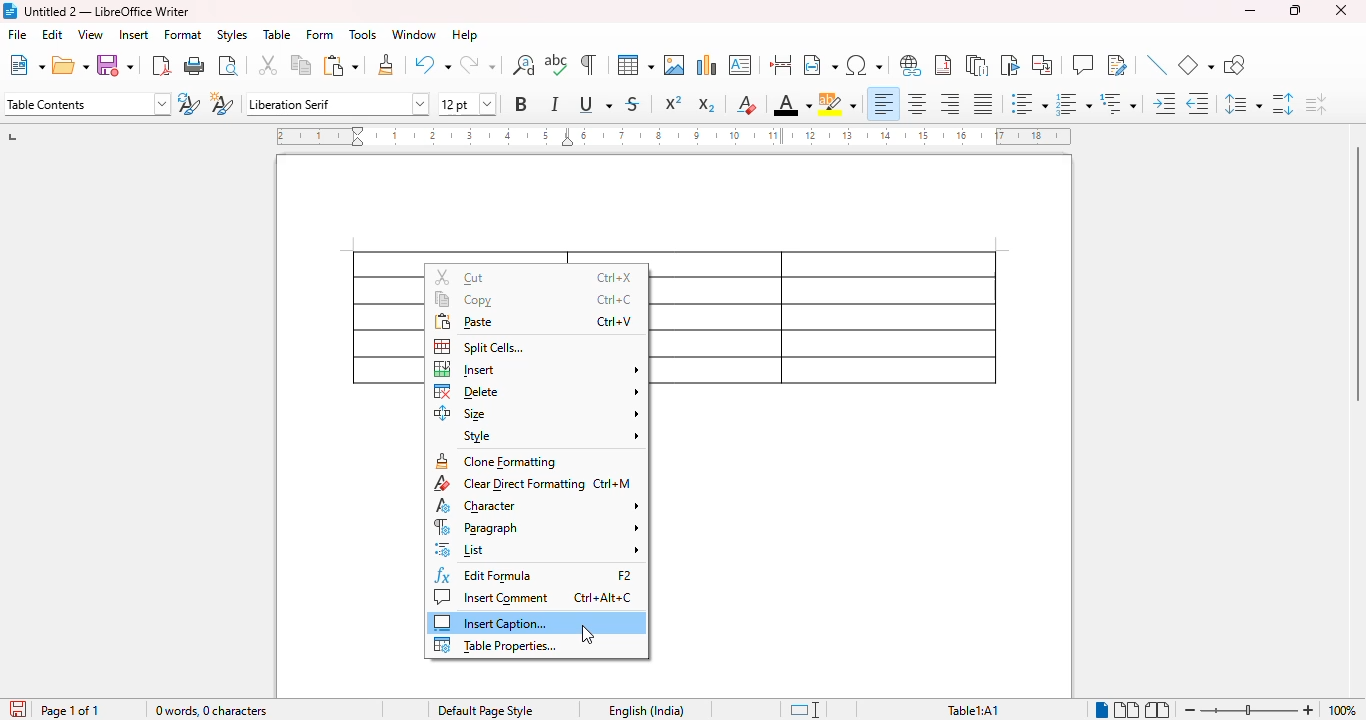  Describe the element at coordinates (1158, 710) in the screenshot. I see `book view` at that location.